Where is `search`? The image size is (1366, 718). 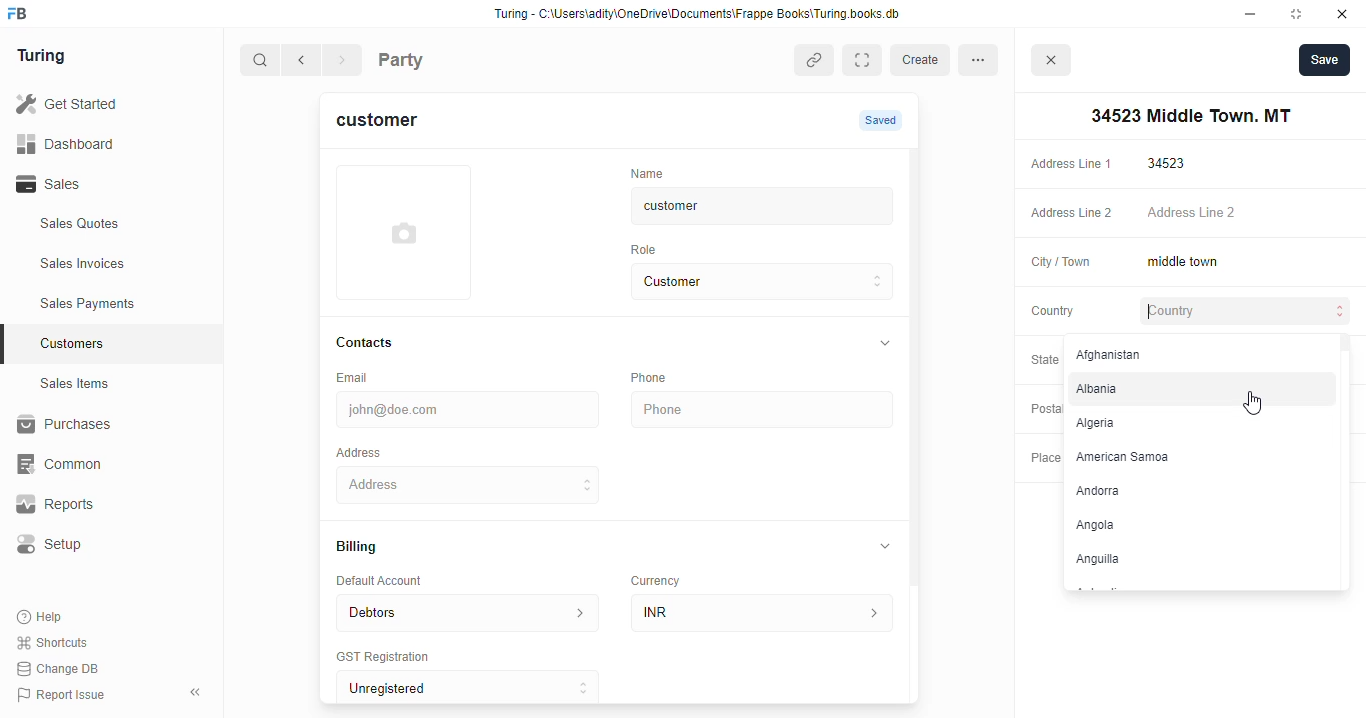 search is located at coordinates (261, 62).